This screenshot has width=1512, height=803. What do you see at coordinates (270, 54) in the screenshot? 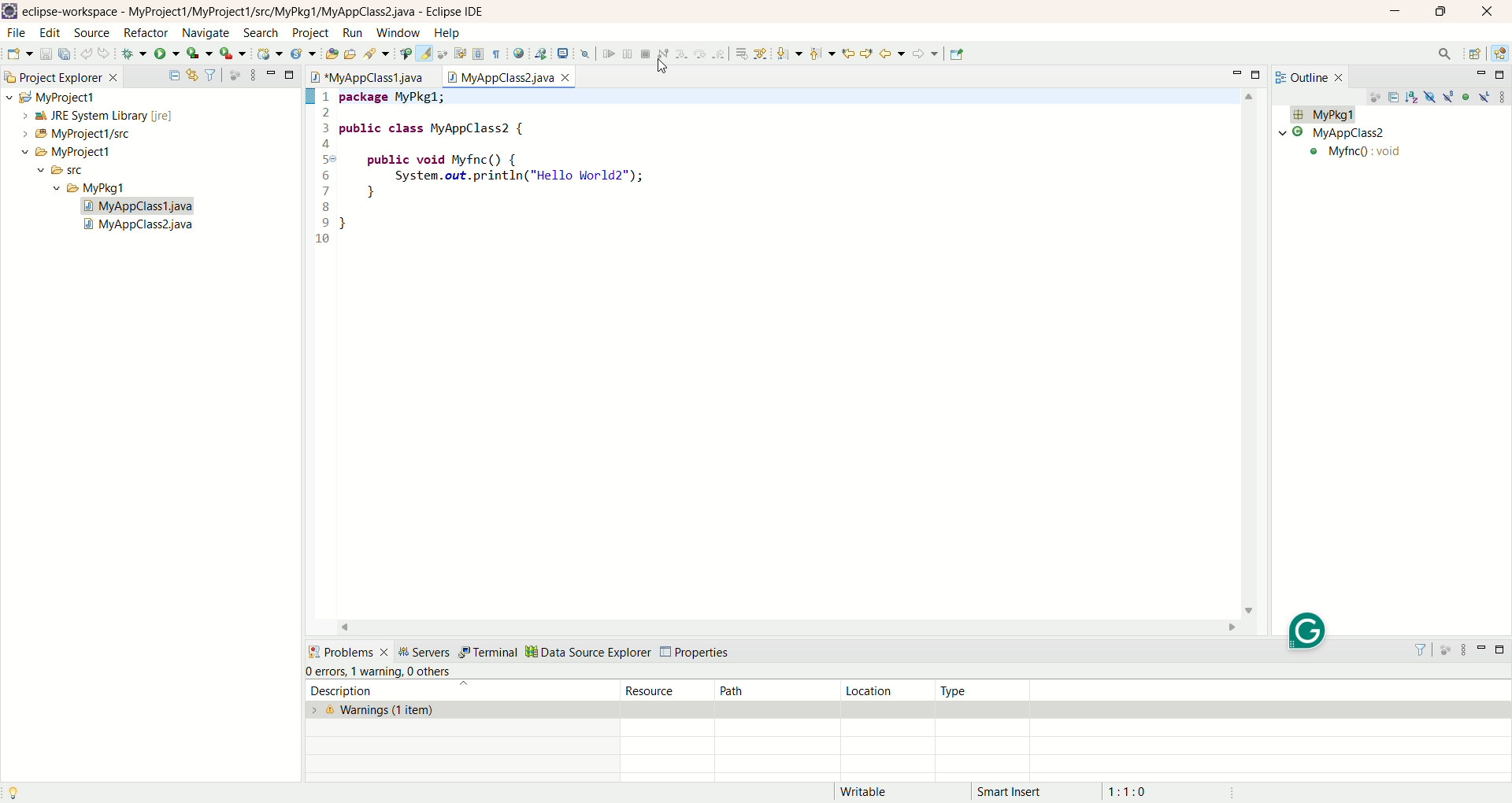
I see `create a dynamic web project` at bounding box center [270, 54].